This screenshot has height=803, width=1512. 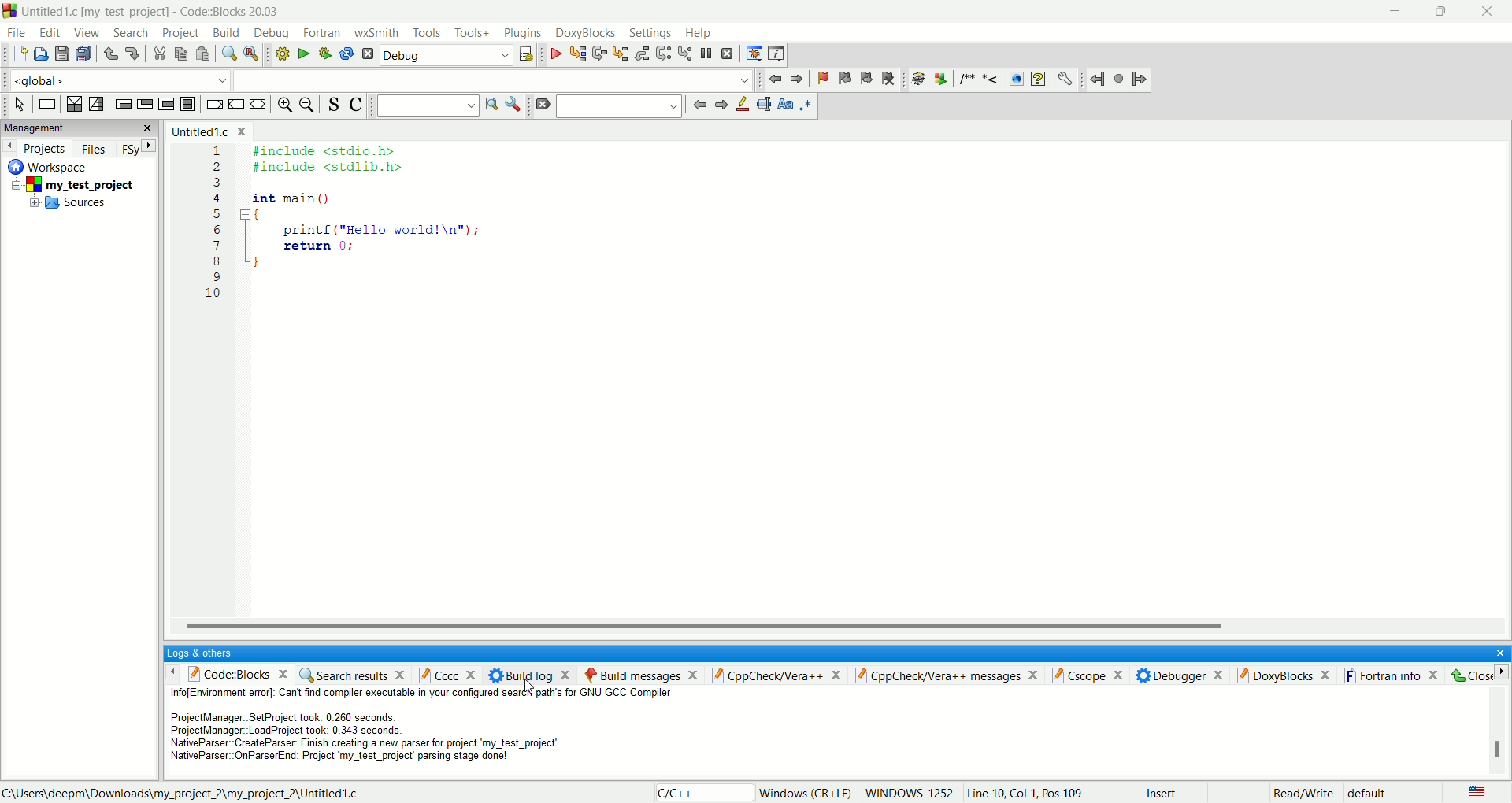 What do you see at coordinates (839, 626) in the screenshot?
I see `horizontal scroll bar` at bounding box center [839, 626].